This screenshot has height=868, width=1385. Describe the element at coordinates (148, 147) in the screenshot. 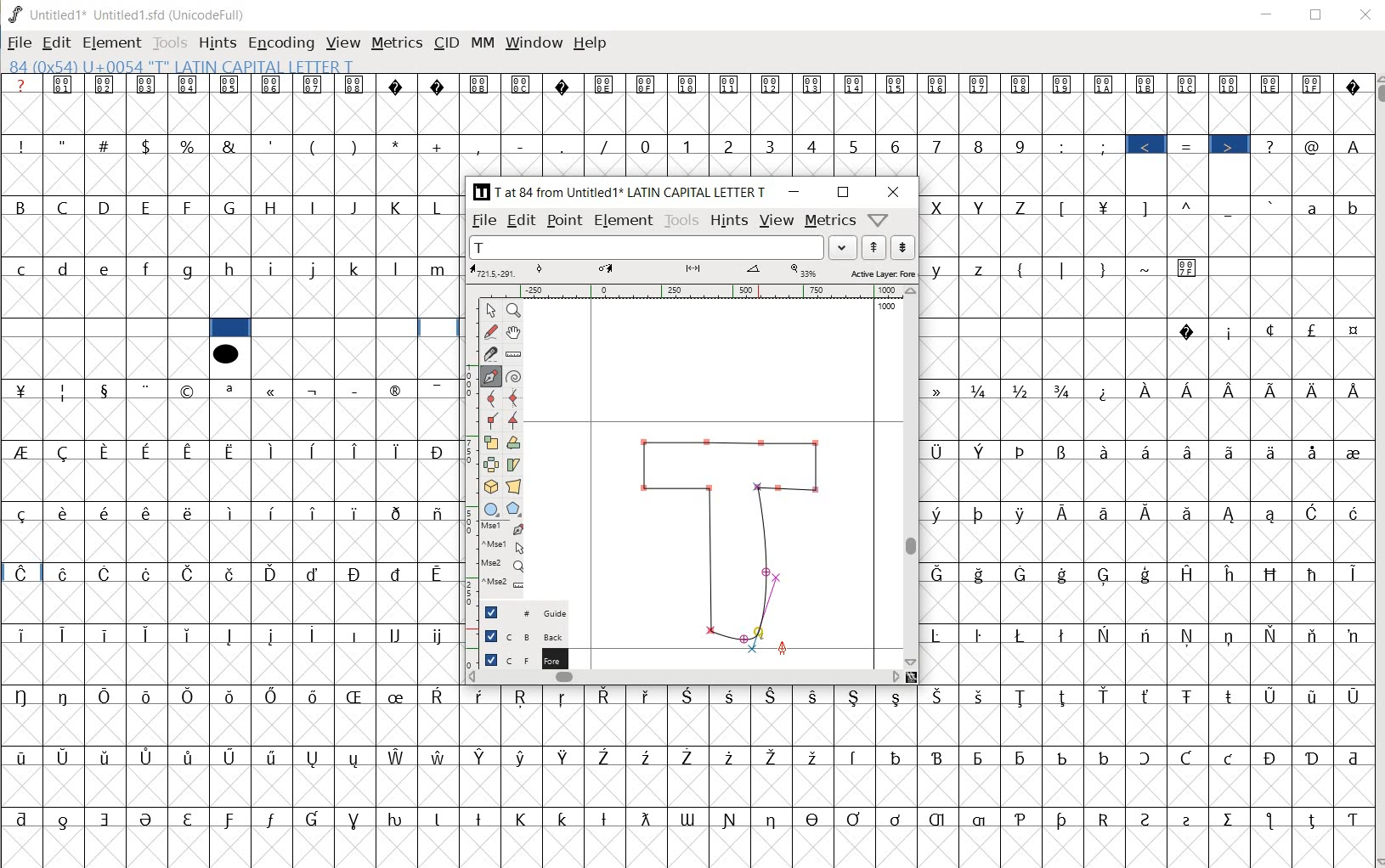

I see `$` at that location.